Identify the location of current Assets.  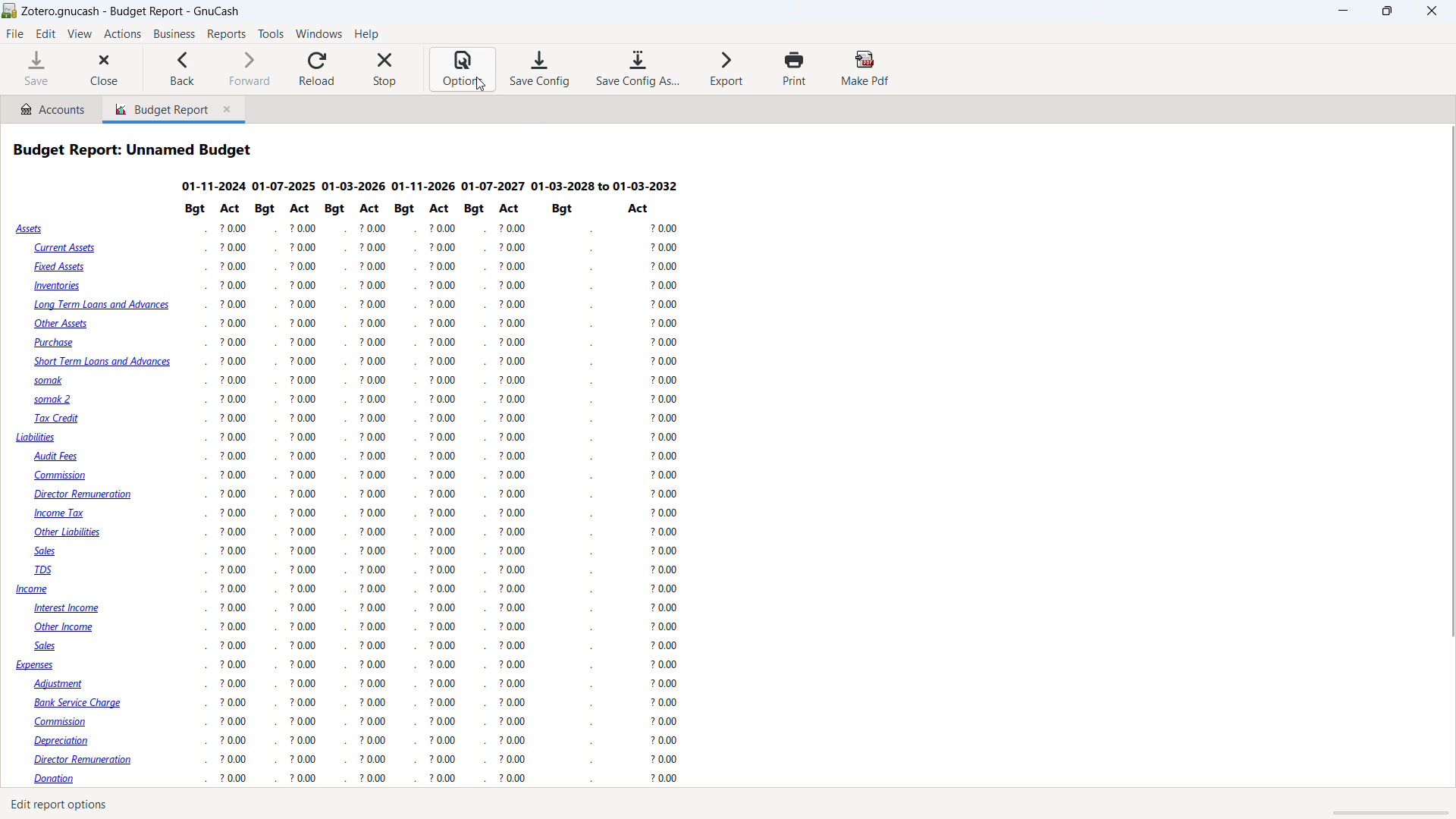
(63, 248).